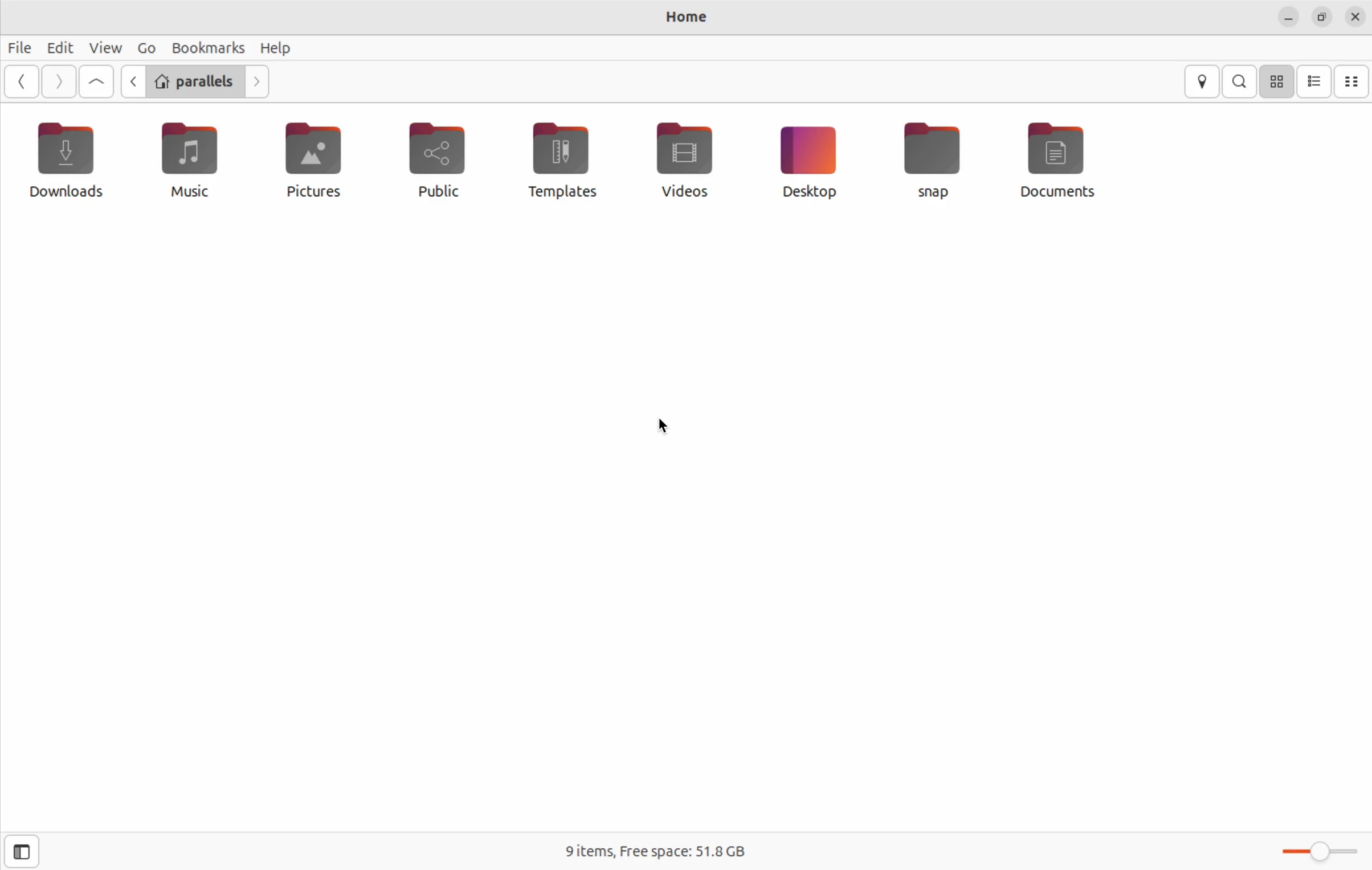  Describe the element at coordinates (96, 81) in the screenshot. I see `Go to first` at that location.